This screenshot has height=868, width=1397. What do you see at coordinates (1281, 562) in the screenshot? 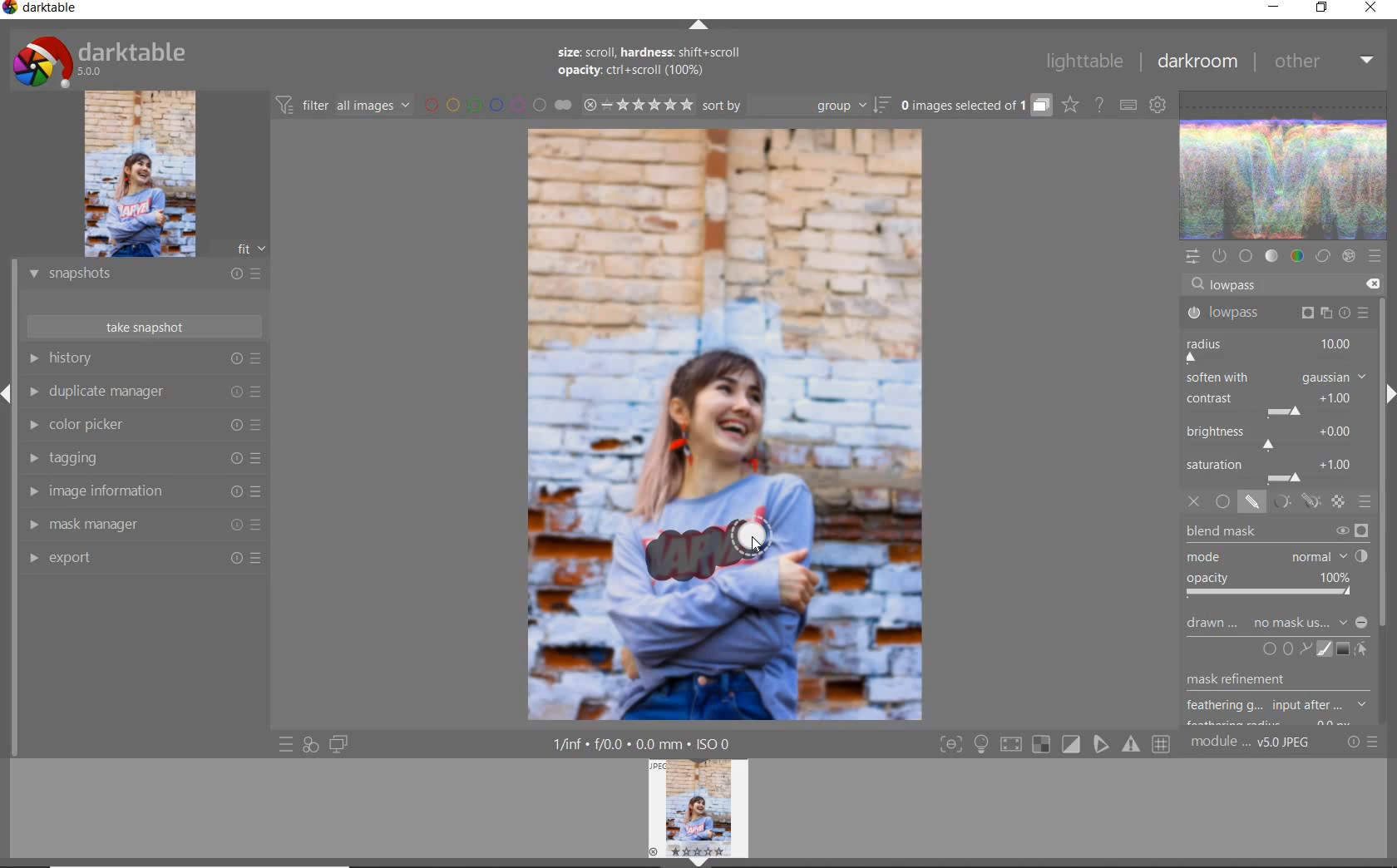
I see `blend mask` at bounding box center [1281, 562].